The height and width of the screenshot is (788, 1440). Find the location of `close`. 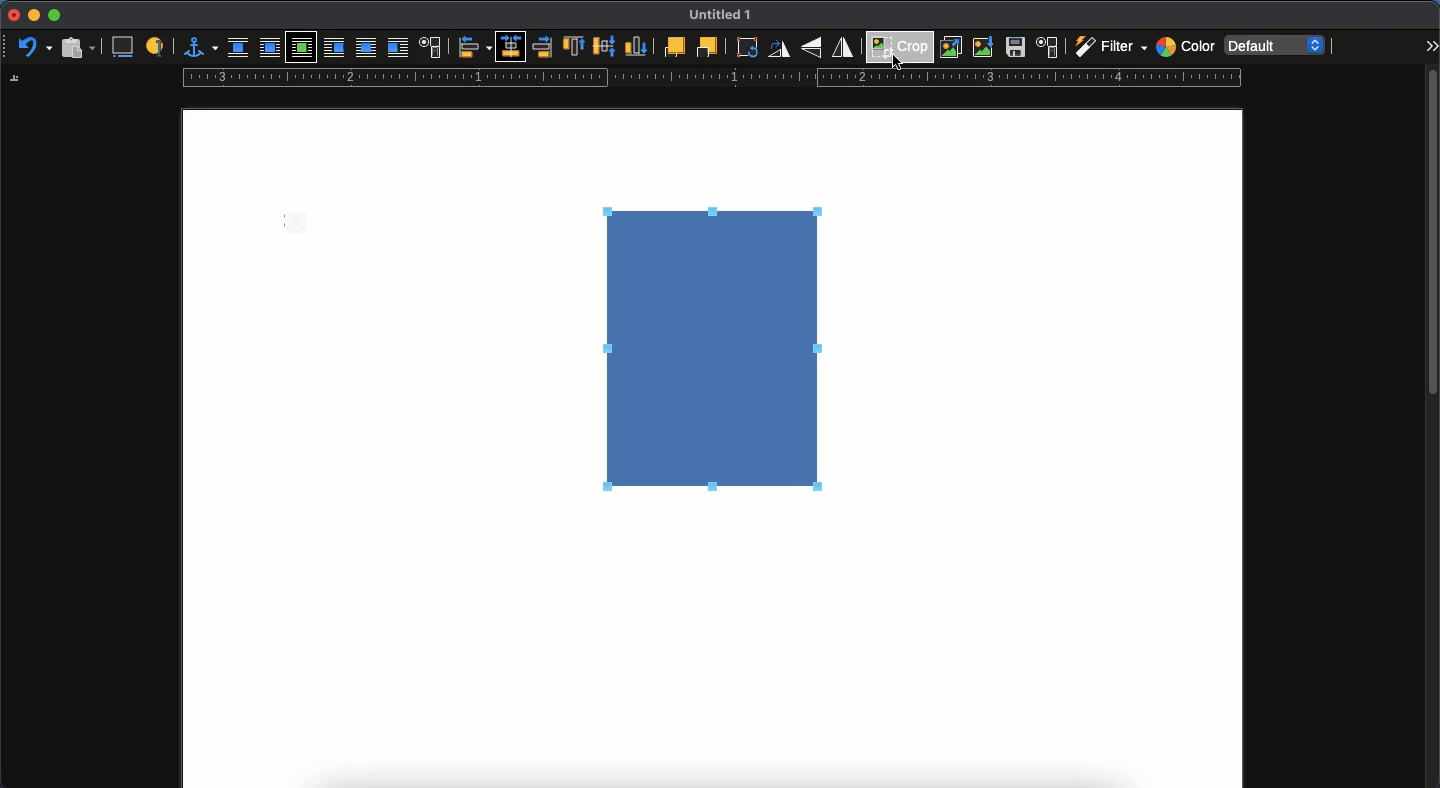

close is located at coordinates (12, 16).